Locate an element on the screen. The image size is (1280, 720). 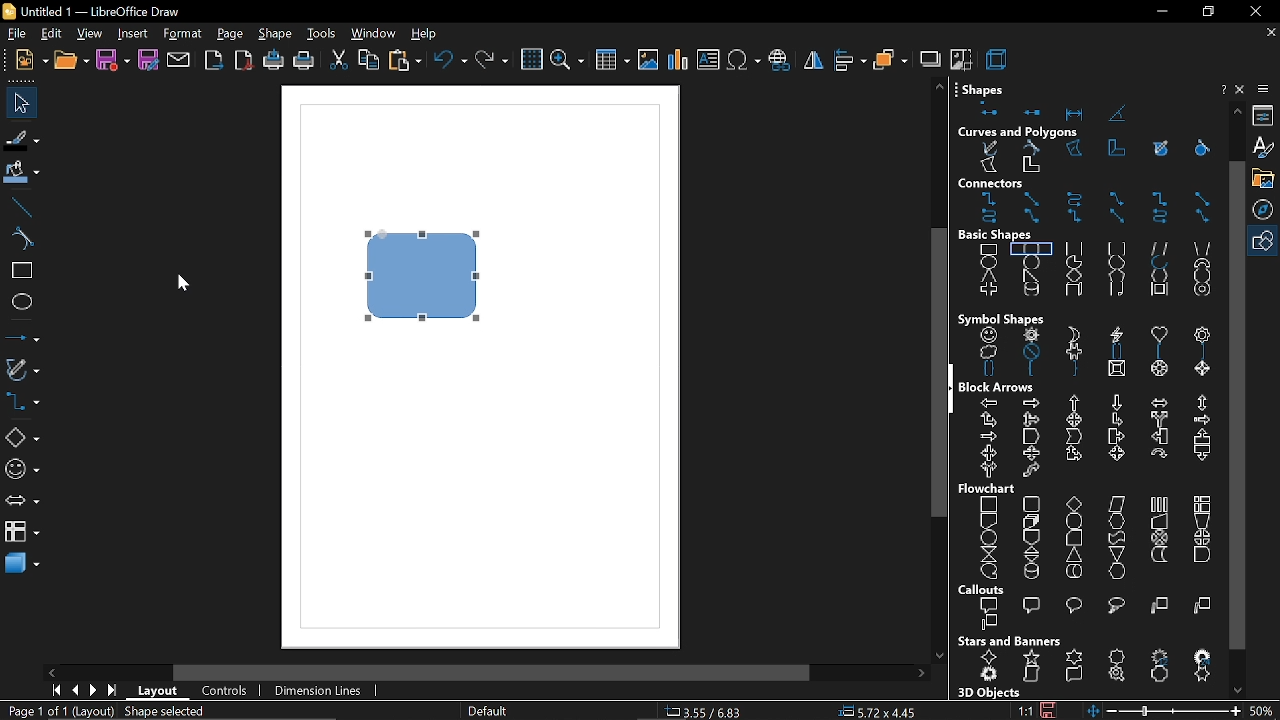
arrows is located at coordinates (21, 503).